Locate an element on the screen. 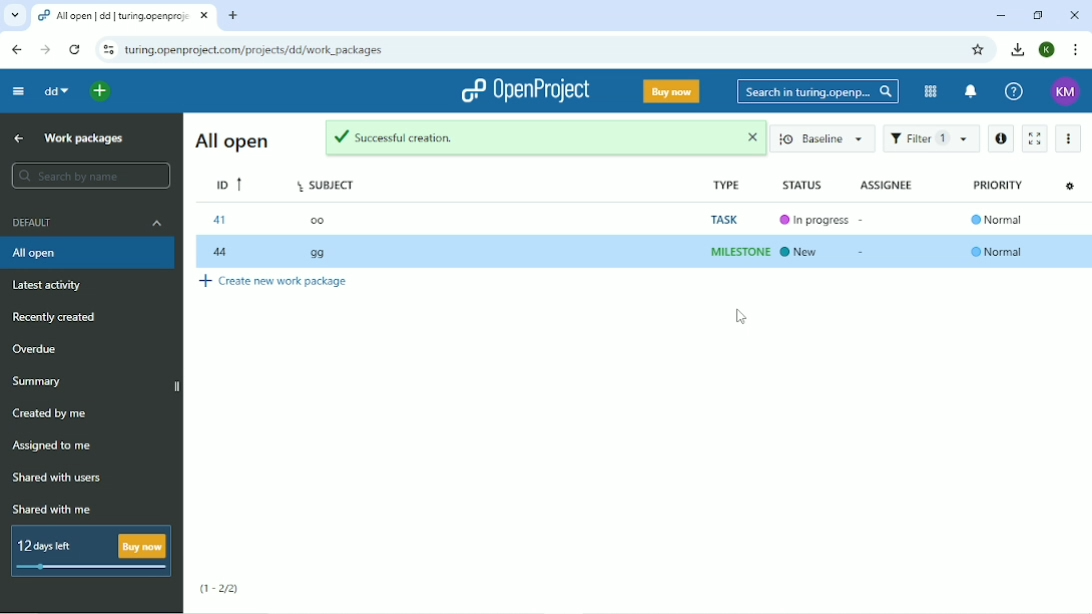 The width and height of the screenshot is (1092, 614). 12 days left Buy now is located at coordinates (92, 551).